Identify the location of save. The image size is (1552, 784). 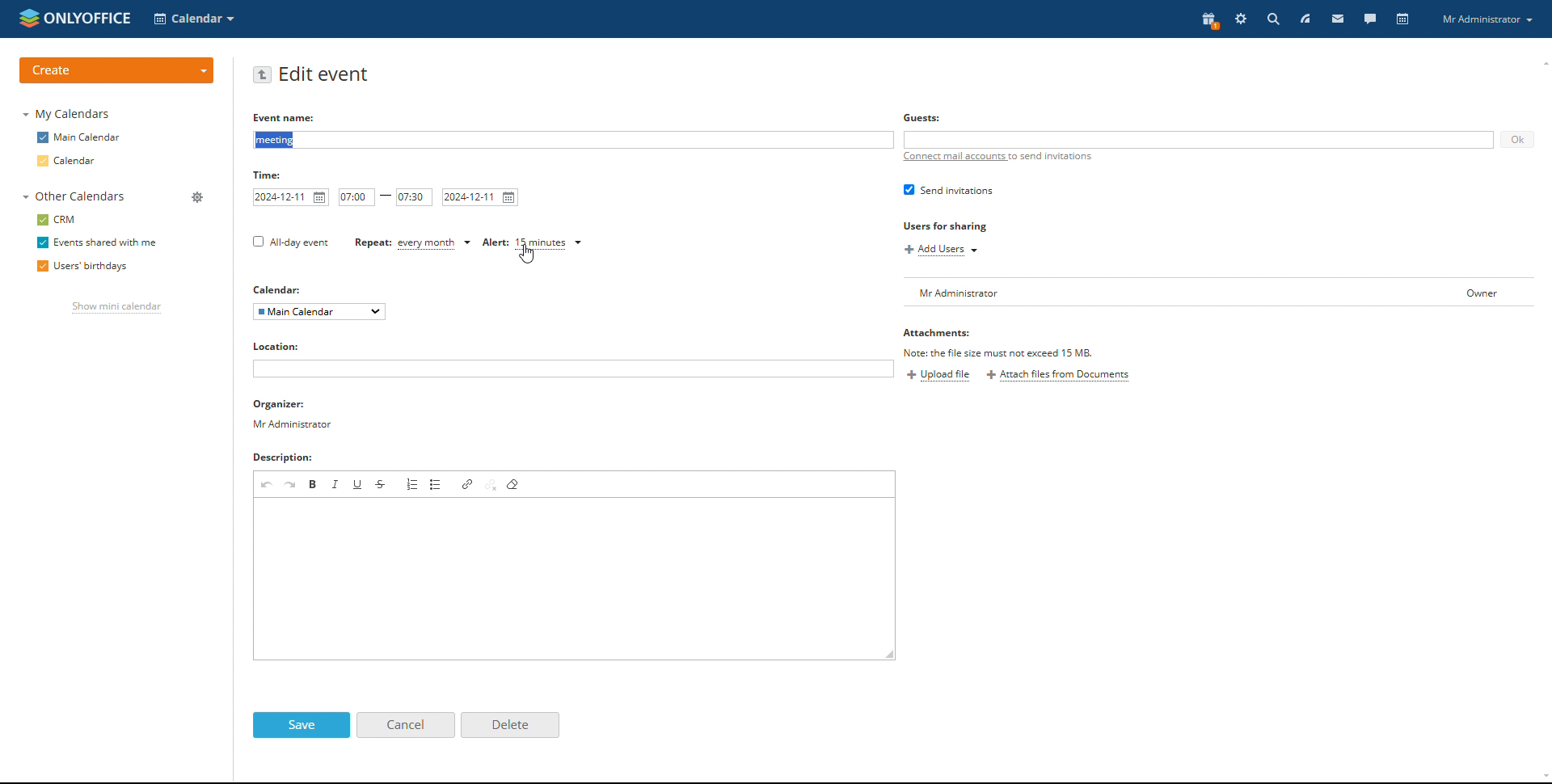
(302, 726).